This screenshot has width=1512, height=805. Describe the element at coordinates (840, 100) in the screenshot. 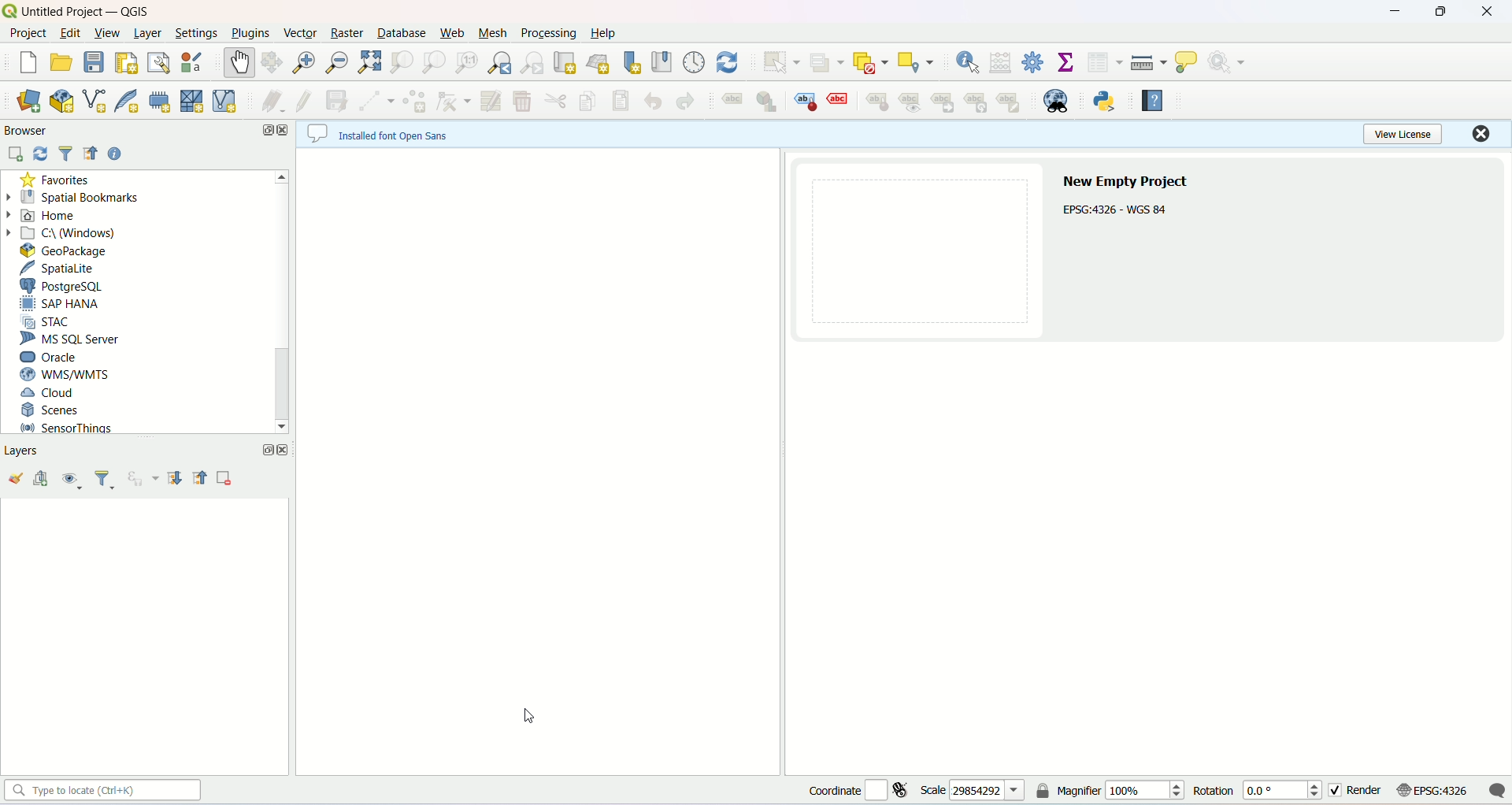

I see `toggle display of unplaced labels` at that location.